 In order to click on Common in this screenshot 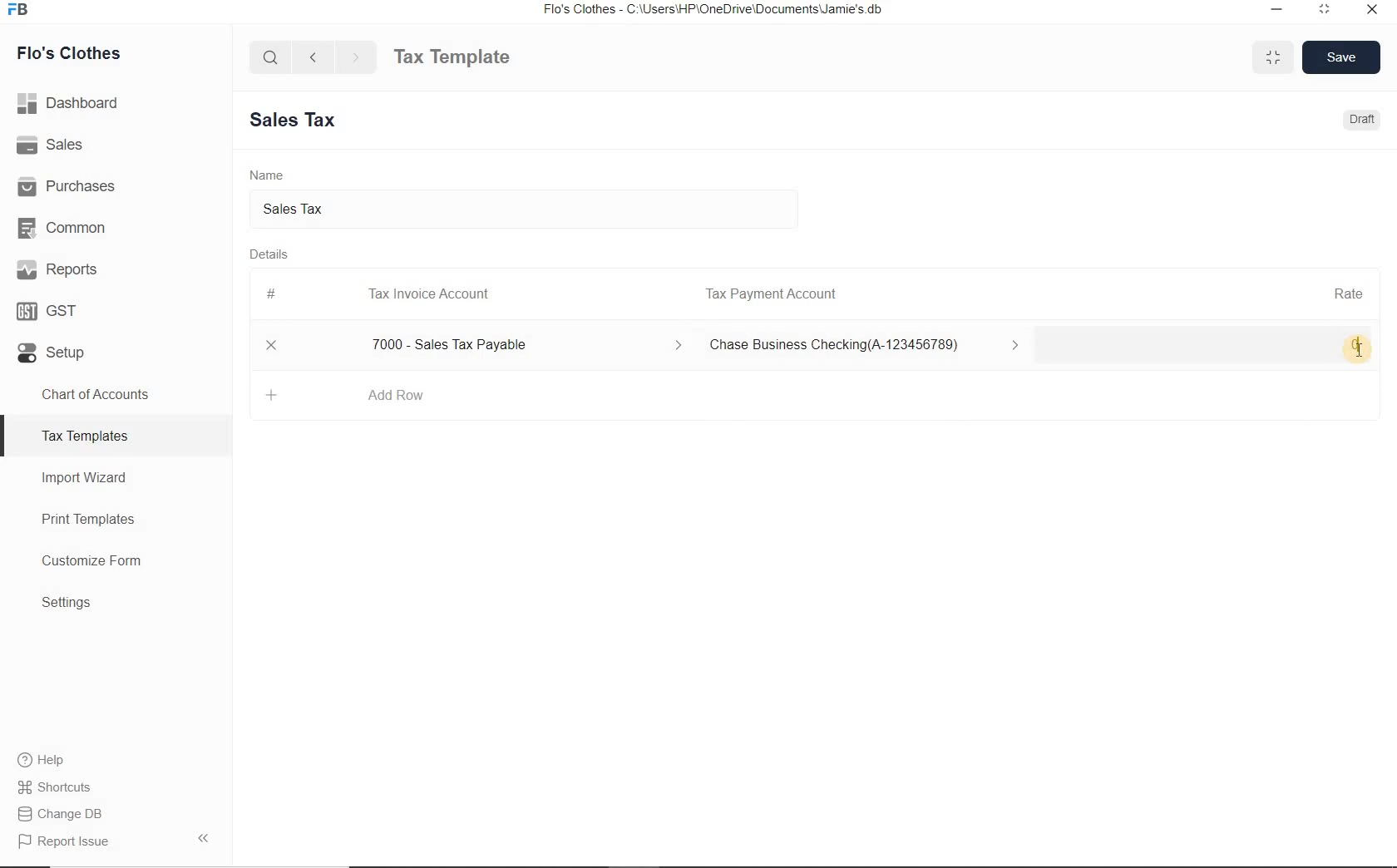, I will do `click(116, 225)`.